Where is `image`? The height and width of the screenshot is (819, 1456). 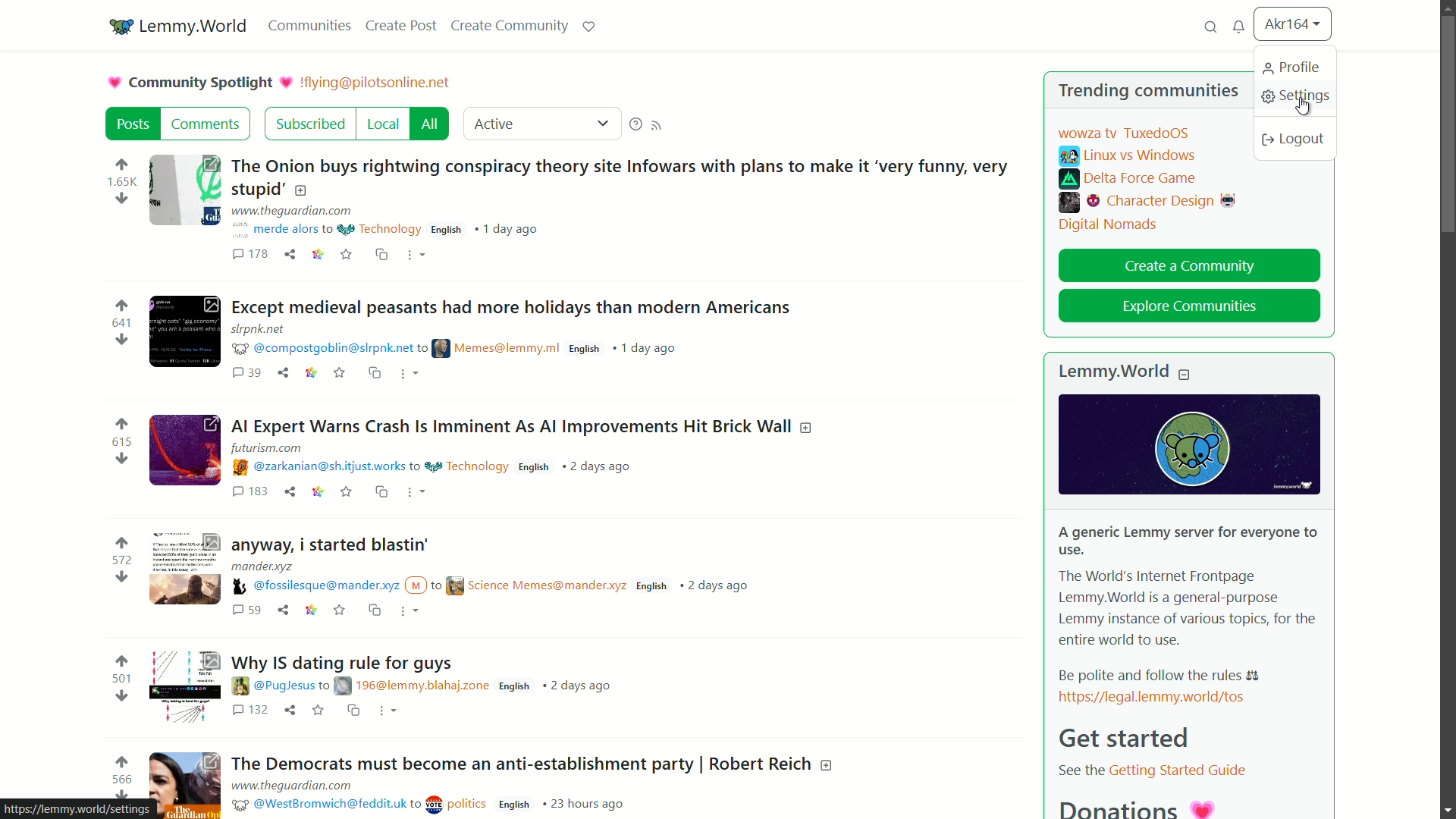
image is located at coordinates (184, 333).